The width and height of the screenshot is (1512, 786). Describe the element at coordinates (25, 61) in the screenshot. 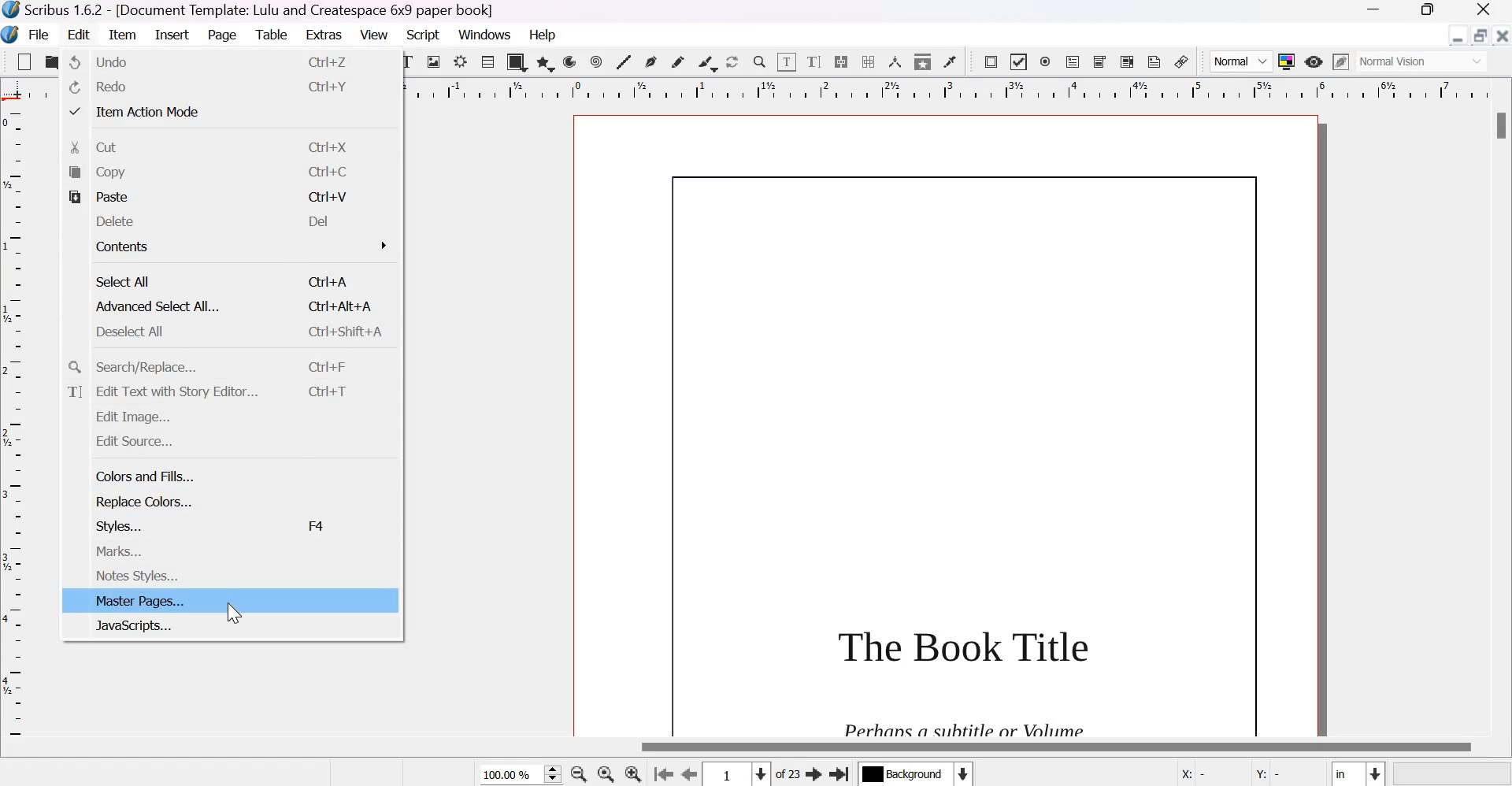

I see `New` at that location.